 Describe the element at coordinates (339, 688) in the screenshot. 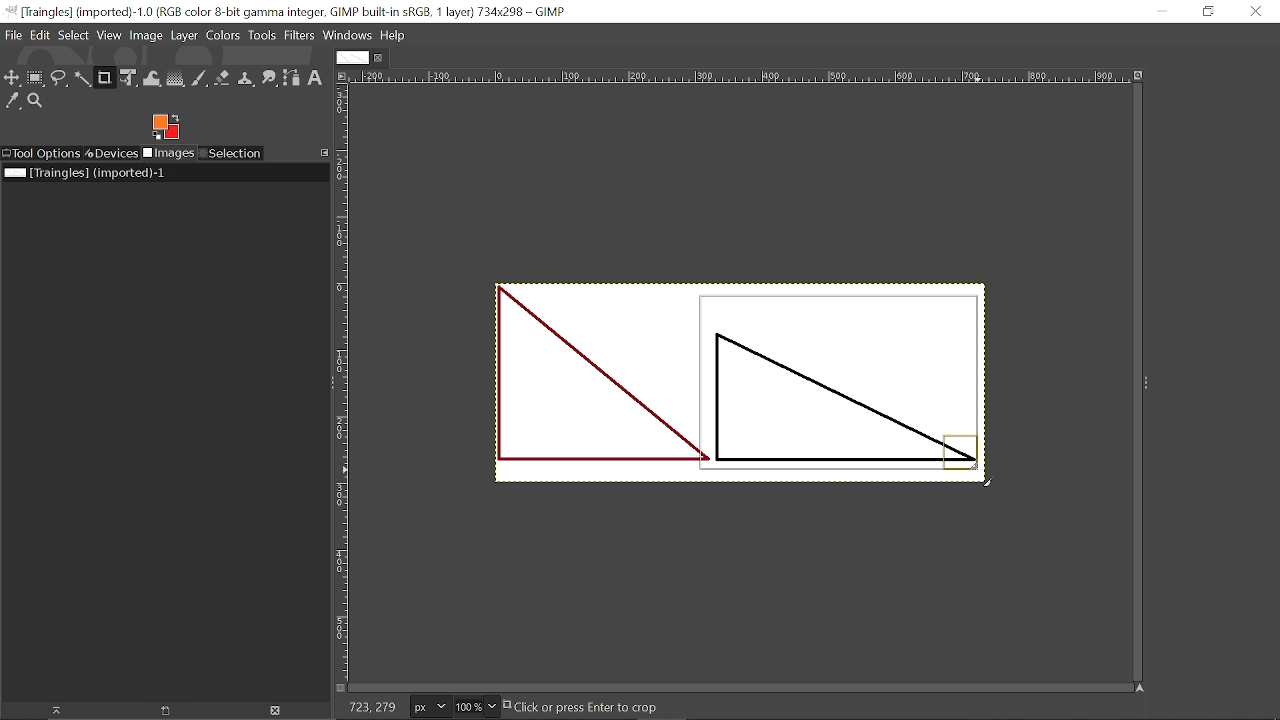

I see `Quick view mask on/off` at that location.